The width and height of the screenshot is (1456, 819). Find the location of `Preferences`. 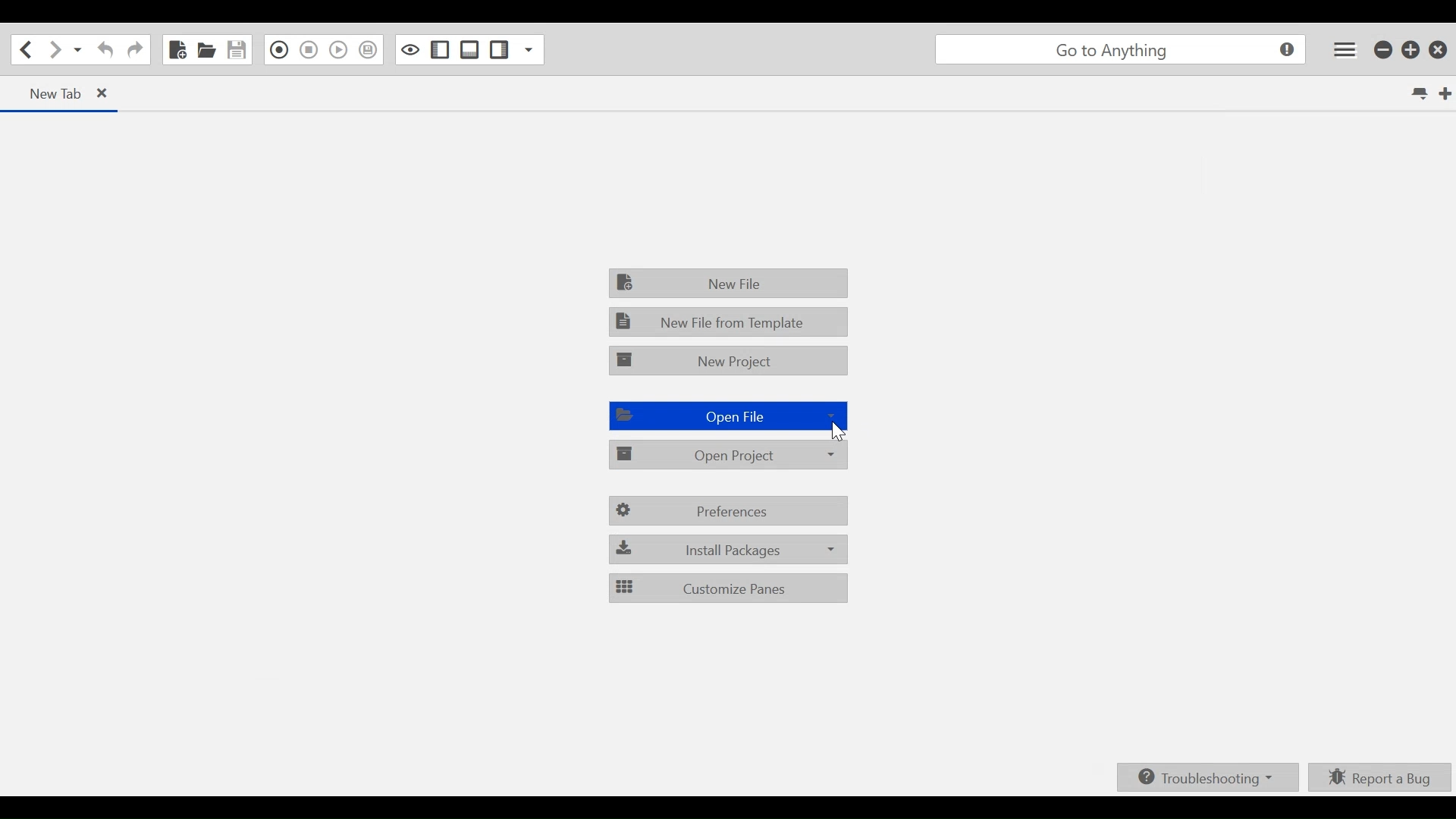

Preferences is located at coordinates (729, 511).